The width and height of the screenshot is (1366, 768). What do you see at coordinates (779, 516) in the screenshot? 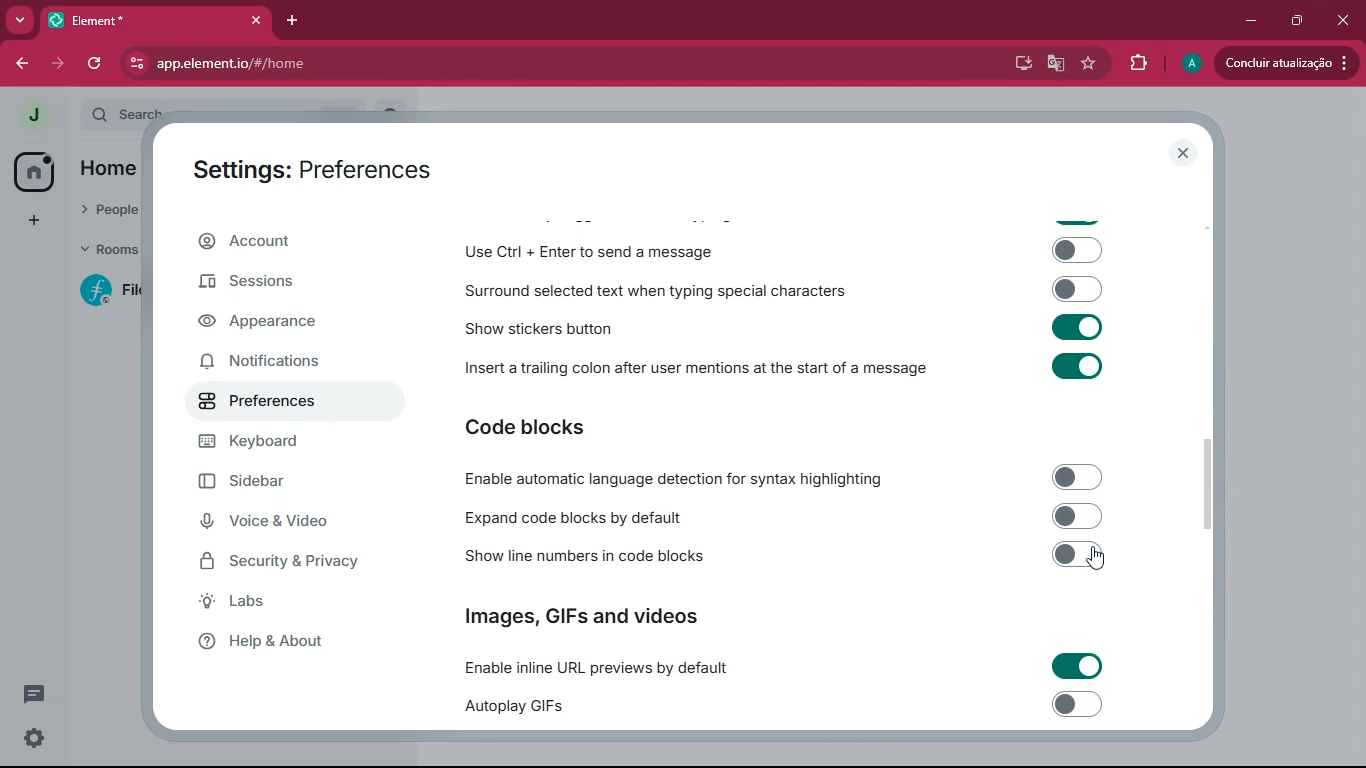
I see `Expand code blocks by default` at bounding box center [779, 516].